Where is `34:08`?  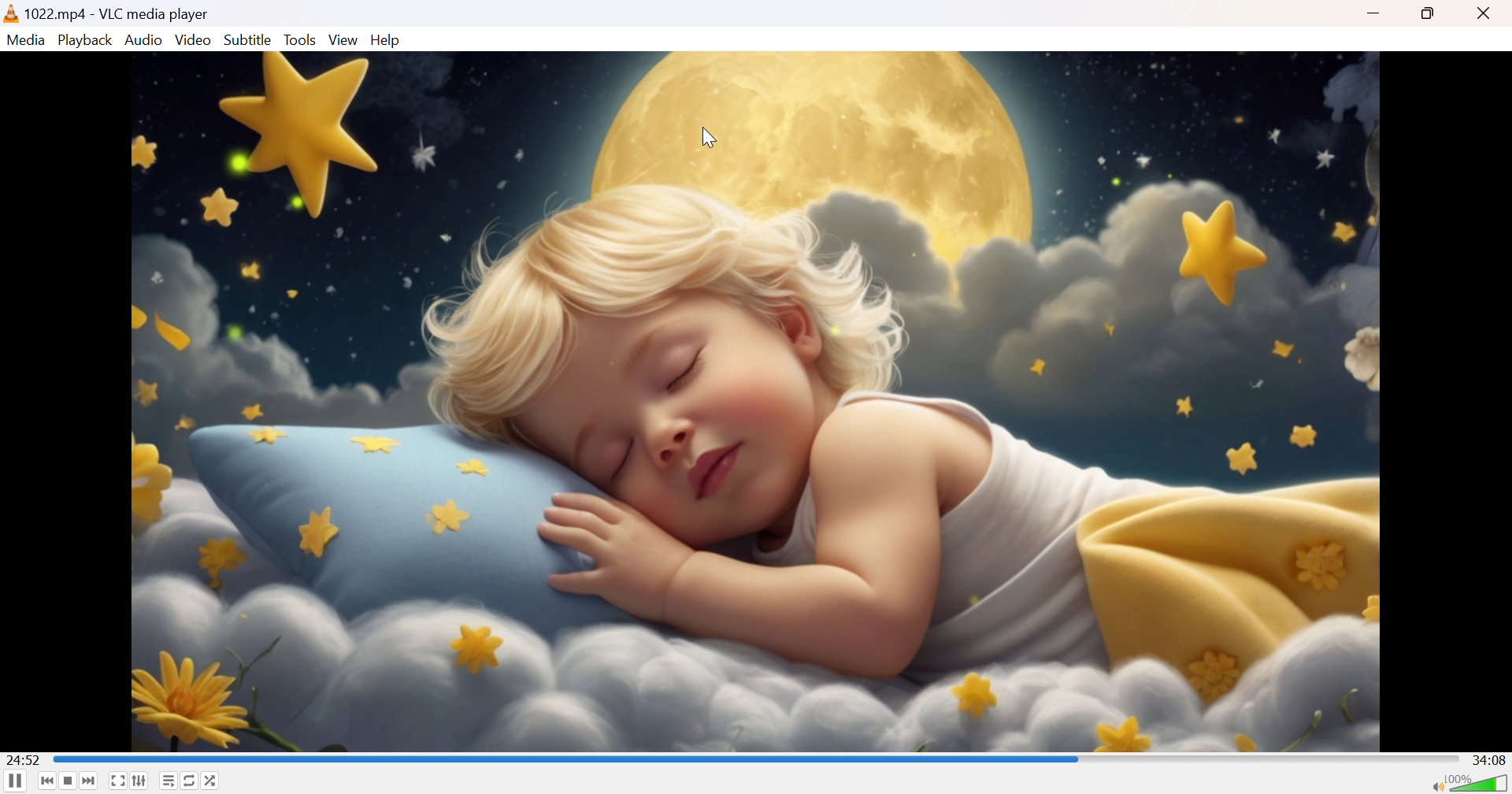 34:08 is located at coordinates (1489, 759).